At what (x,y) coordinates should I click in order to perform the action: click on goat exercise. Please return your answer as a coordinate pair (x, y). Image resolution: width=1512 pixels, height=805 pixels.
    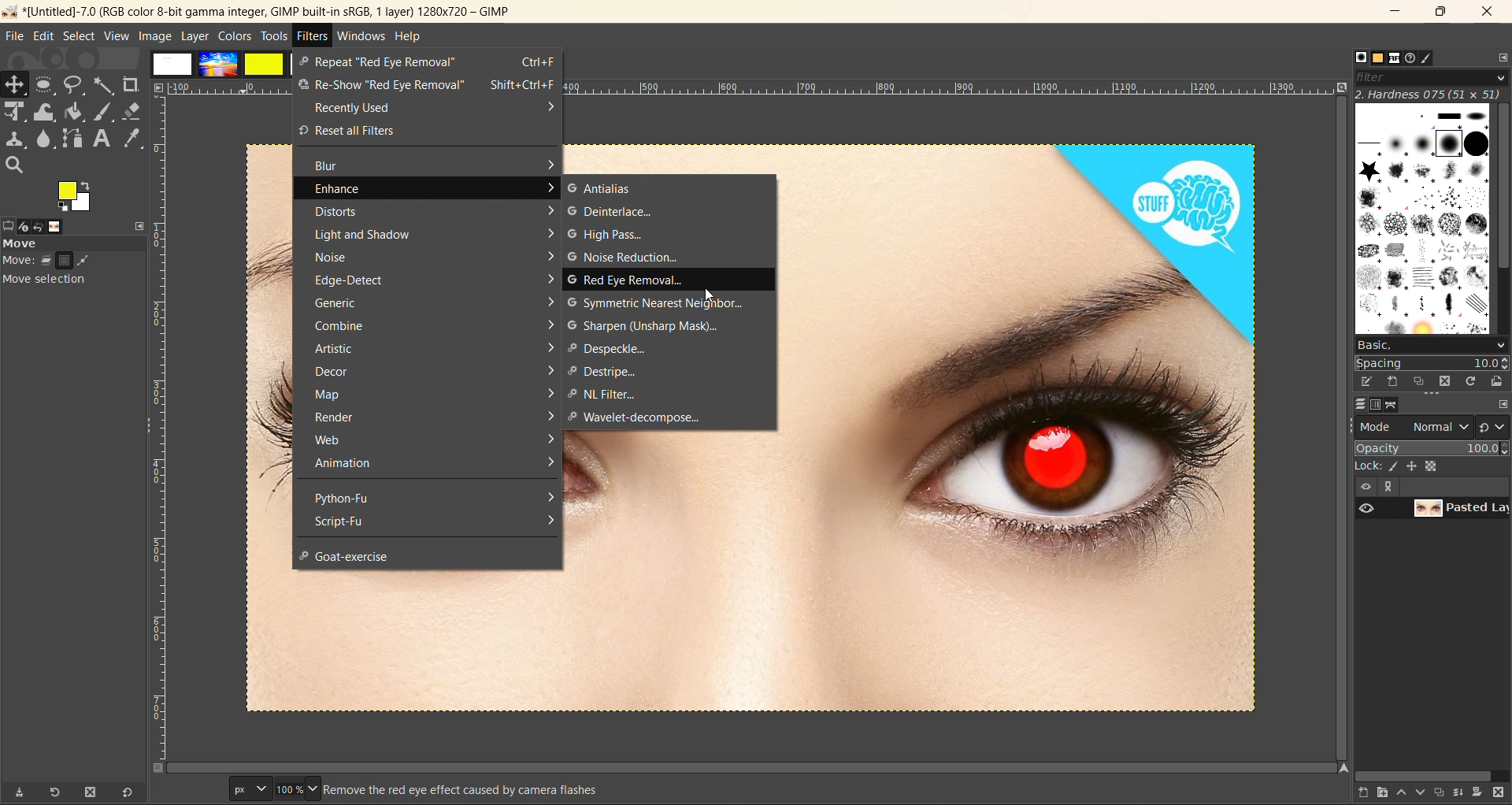
    Looking at the image, I should click on (355, 557).